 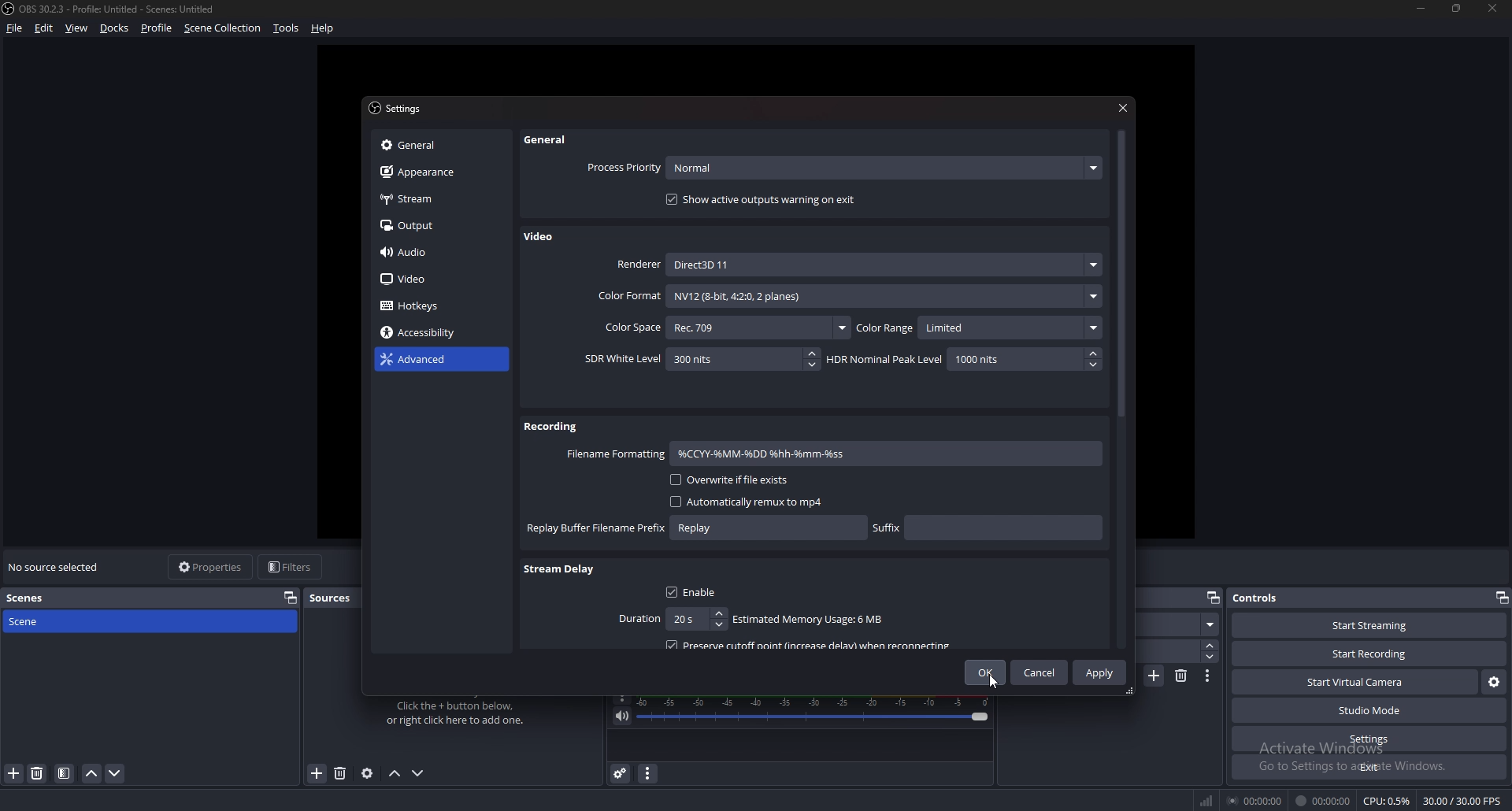 What do you see at coordinates (340, 773) in the screenshot?
I see `remove source` at bounding box center [340, 773].